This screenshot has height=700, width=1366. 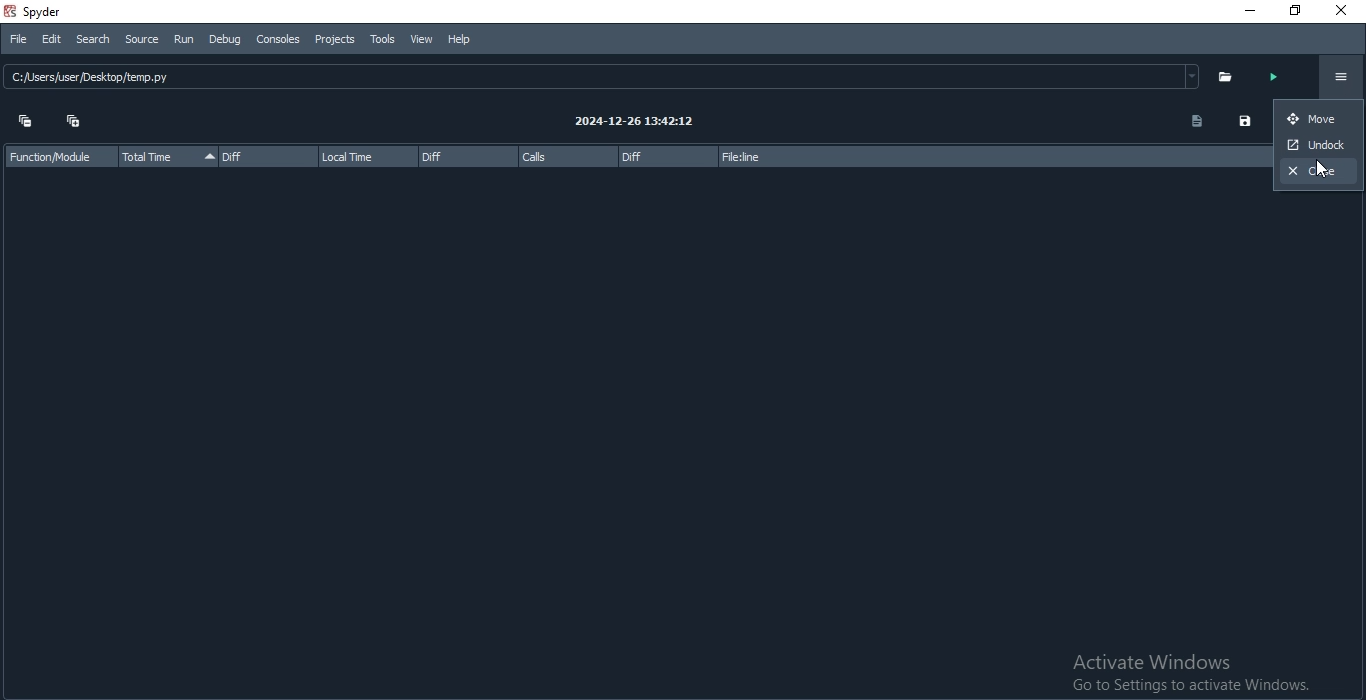 What do you see at coordinates (9, 12) in the screenshot?
I see `spyder logo` at bounding box center [9, 12].